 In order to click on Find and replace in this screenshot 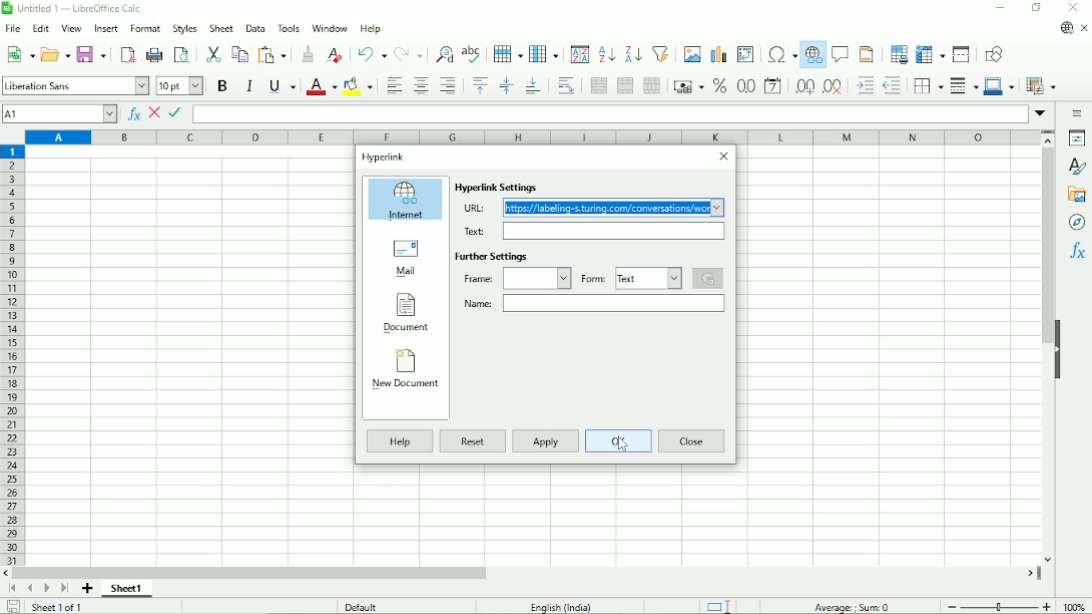, I will do `click(446, 52)`.